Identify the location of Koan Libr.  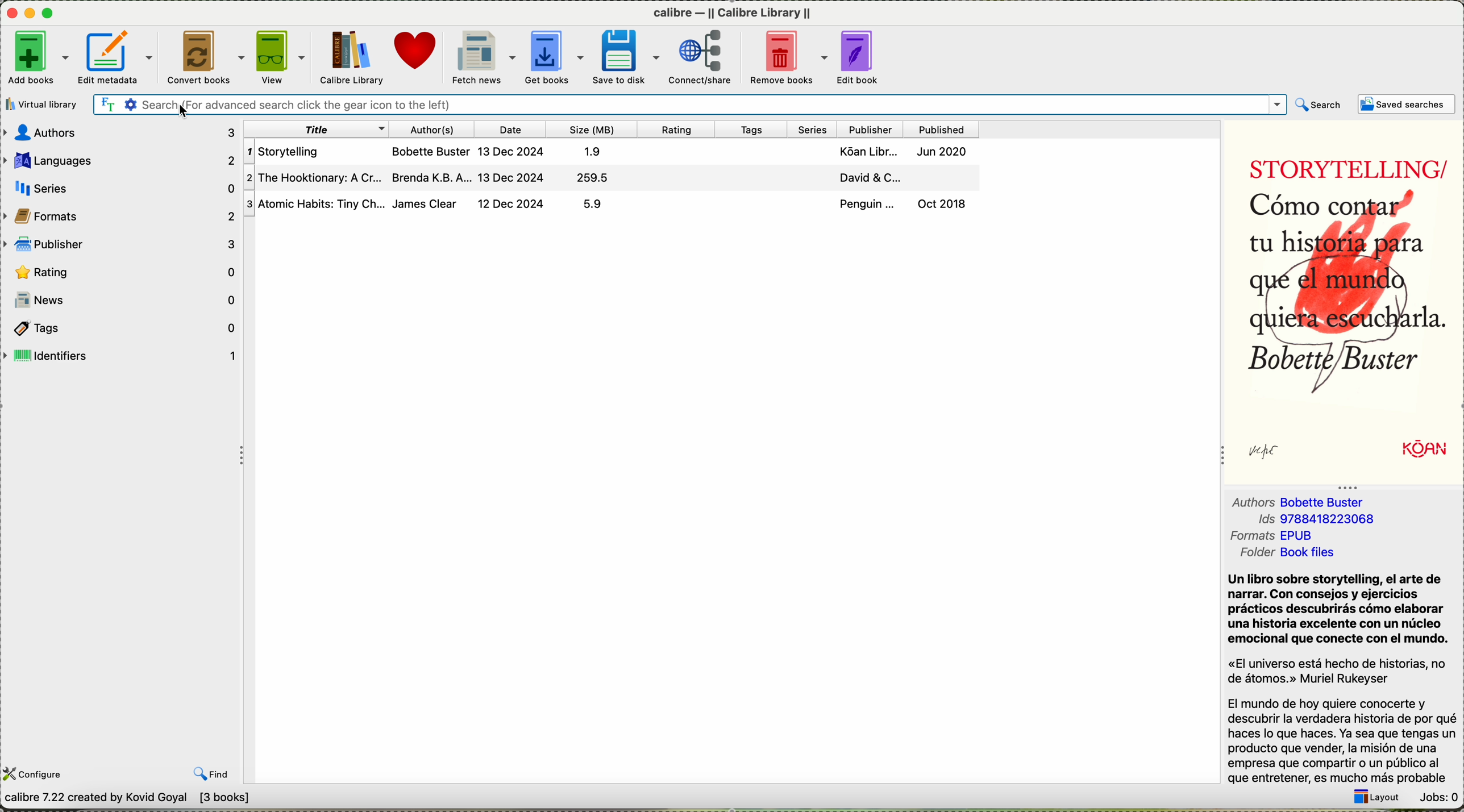
(865, 151).